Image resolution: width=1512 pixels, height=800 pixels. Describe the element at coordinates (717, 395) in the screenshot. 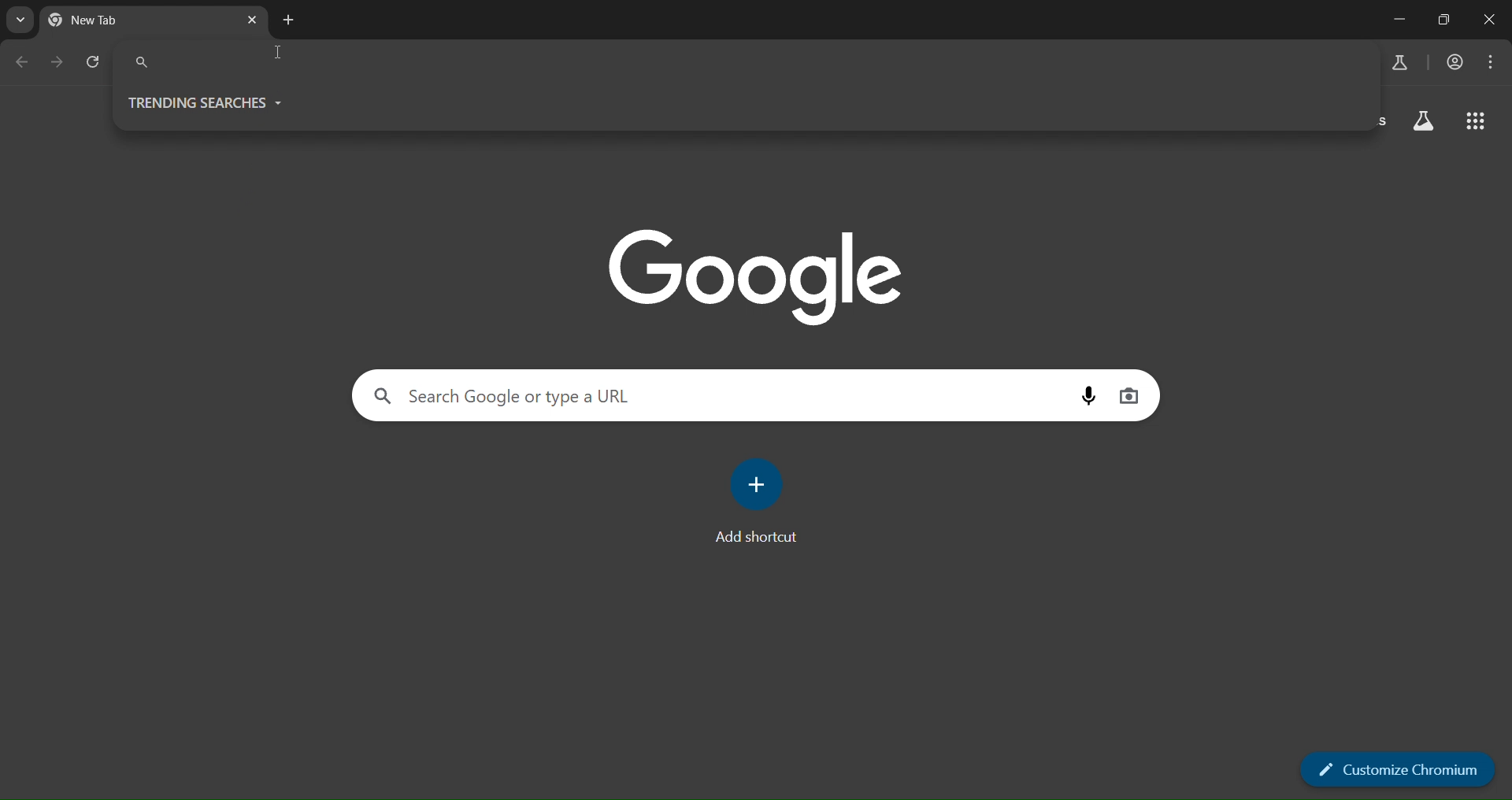

I see `search google or type a URL` at that location.